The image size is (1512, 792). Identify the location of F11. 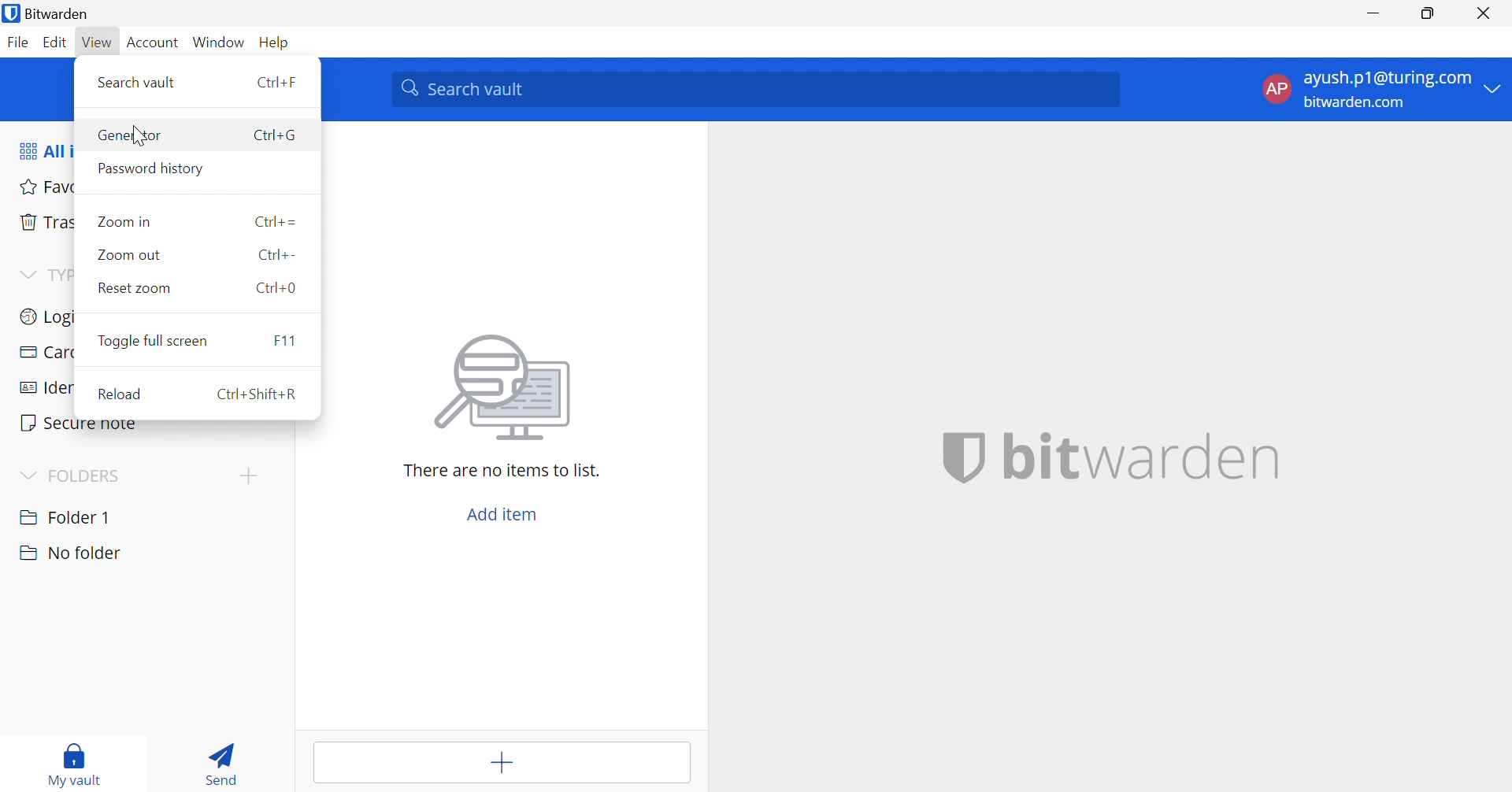
(289, 341).